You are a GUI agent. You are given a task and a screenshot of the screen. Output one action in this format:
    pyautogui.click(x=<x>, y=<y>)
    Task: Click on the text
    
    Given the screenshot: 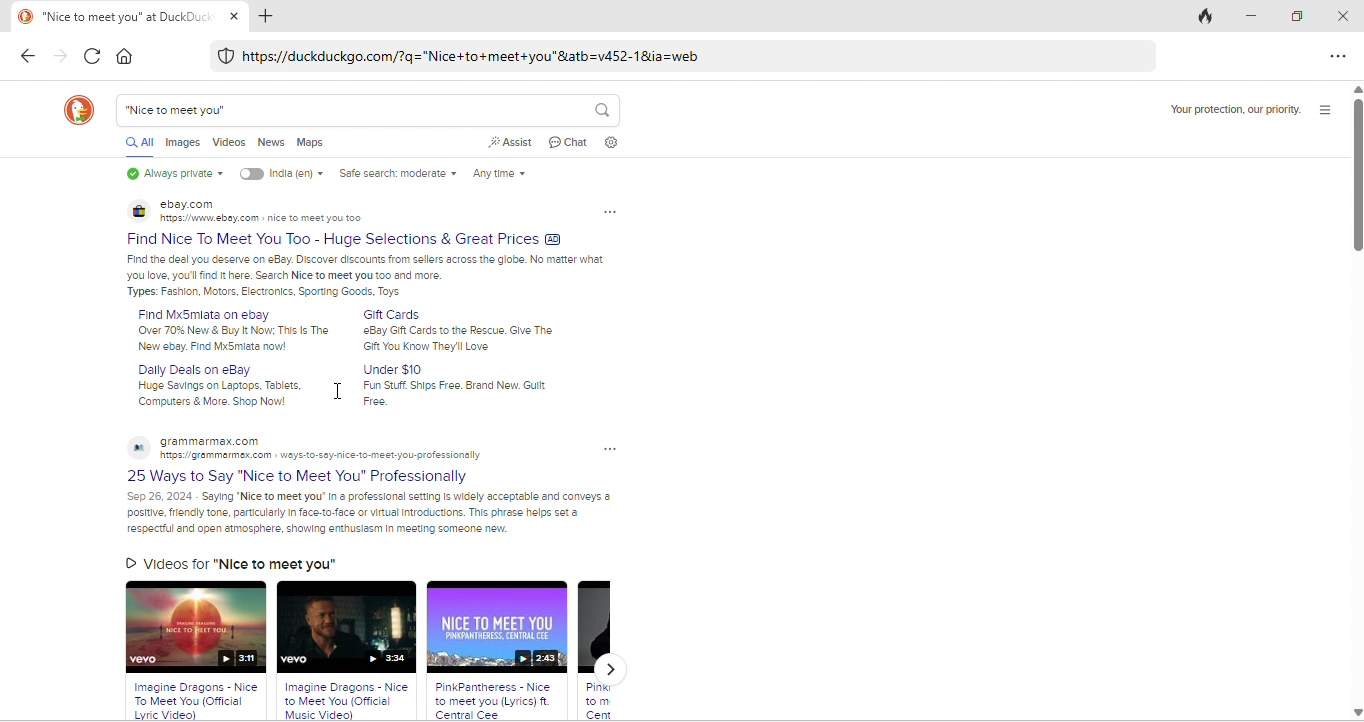 What is the action you would take?
    pyautogui.click(x=262, y=219)
    